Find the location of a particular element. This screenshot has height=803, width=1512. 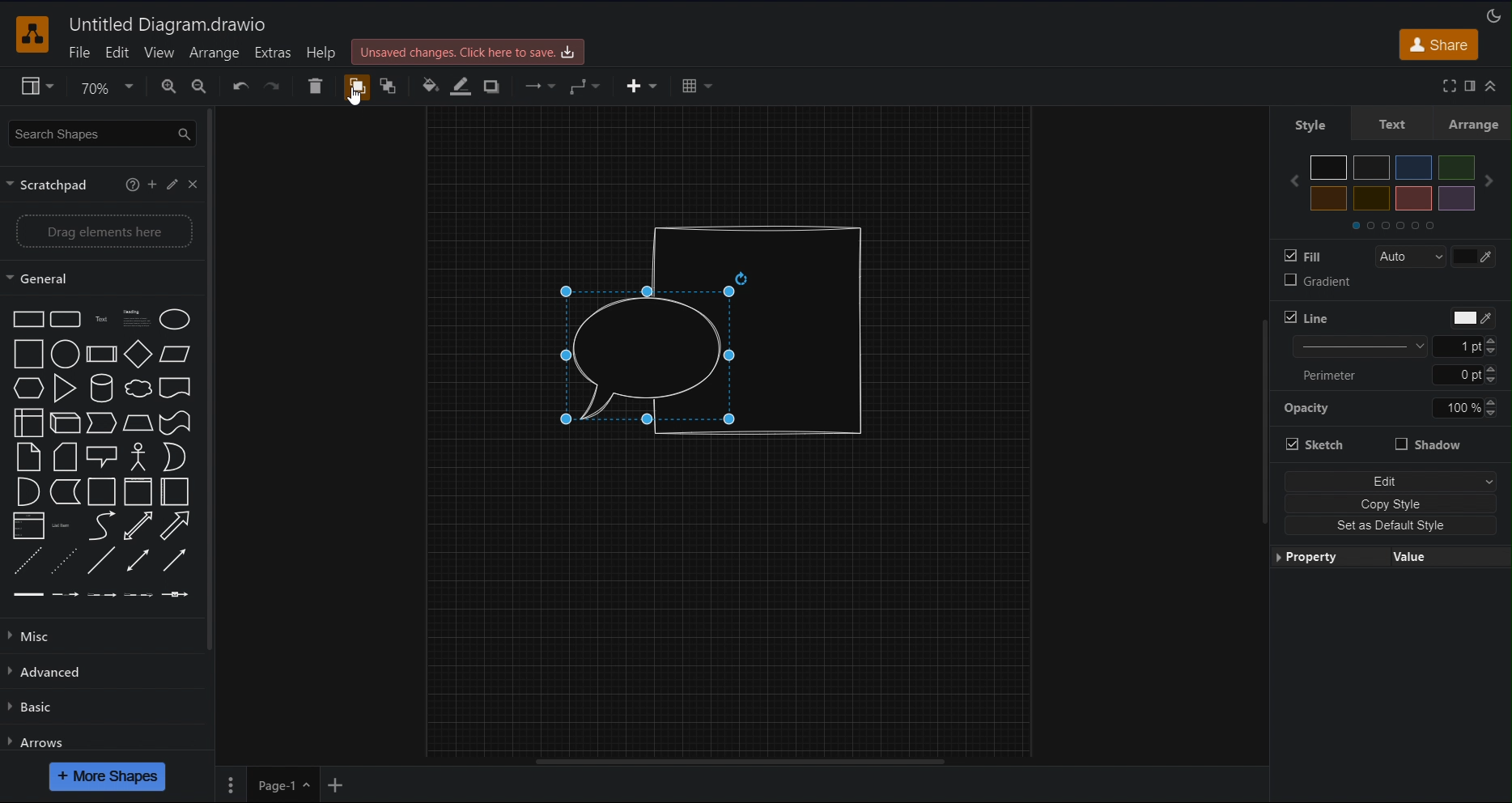

Appearance is located at coordinates (1494, 15).